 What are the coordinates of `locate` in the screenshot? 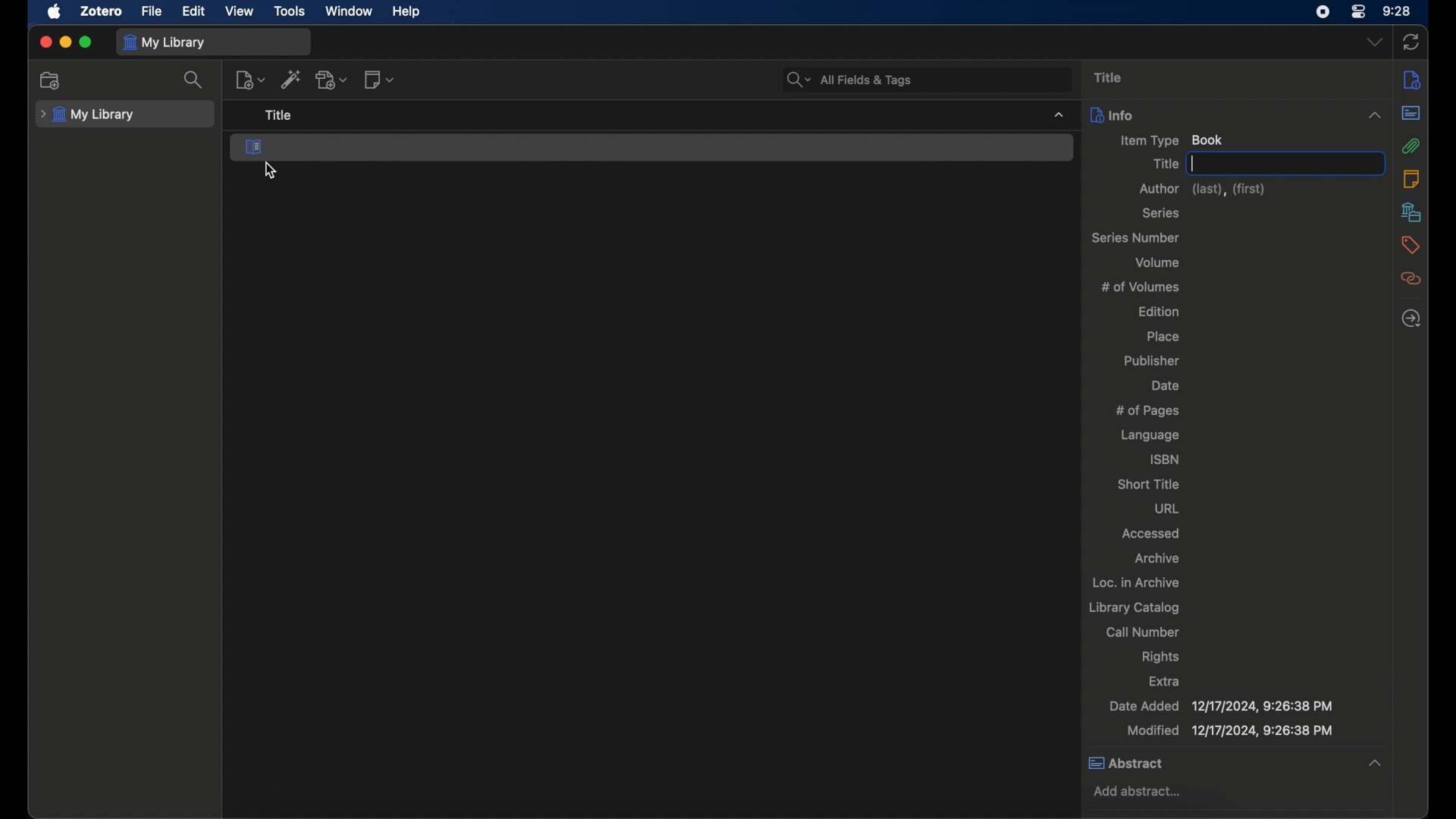 It's located at (1411, 318).